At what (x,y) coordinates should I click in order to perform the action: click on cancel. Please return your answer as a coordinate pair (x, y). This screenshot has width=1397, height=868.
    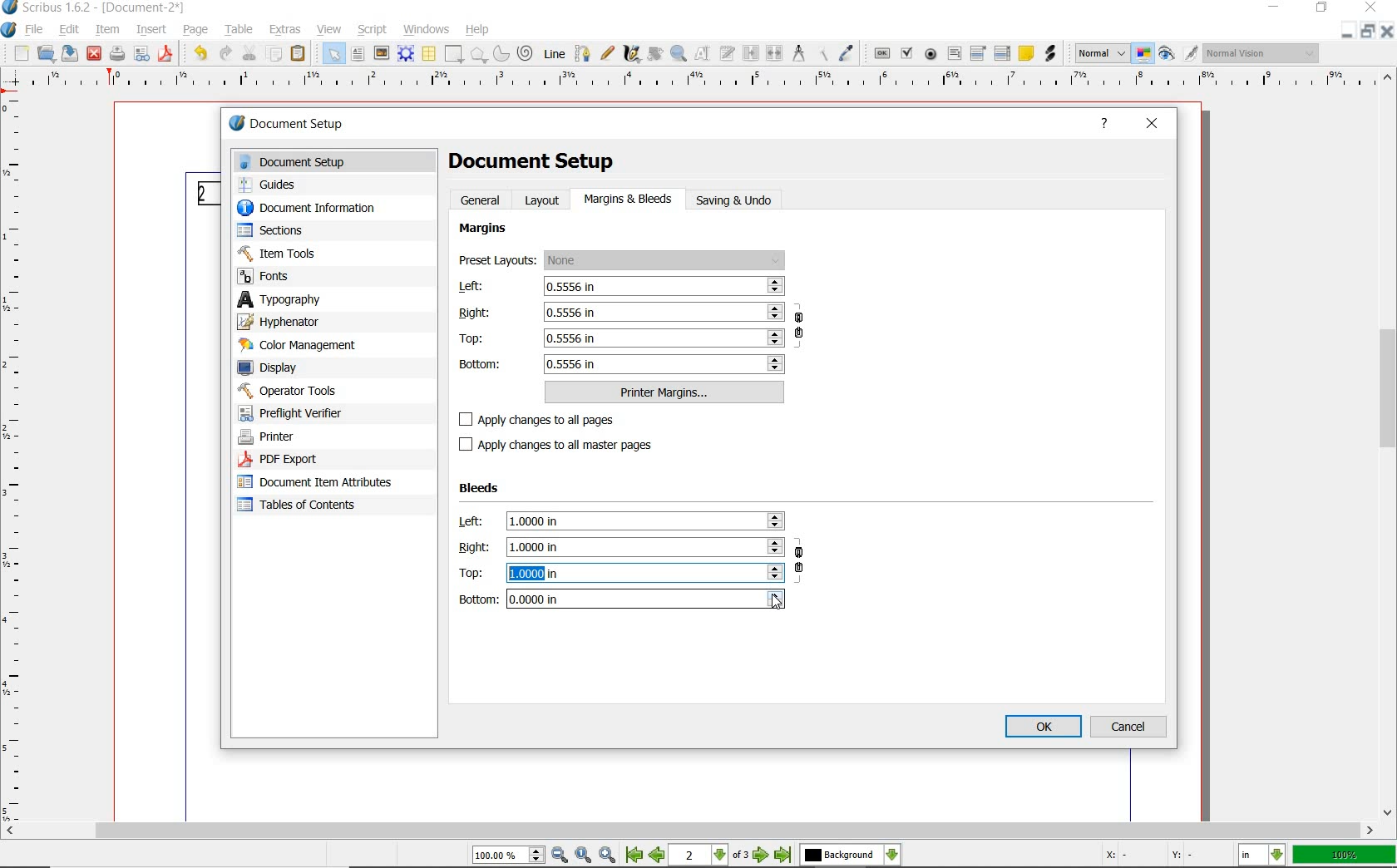
    Looking at the image, I should click on (1131, 726).